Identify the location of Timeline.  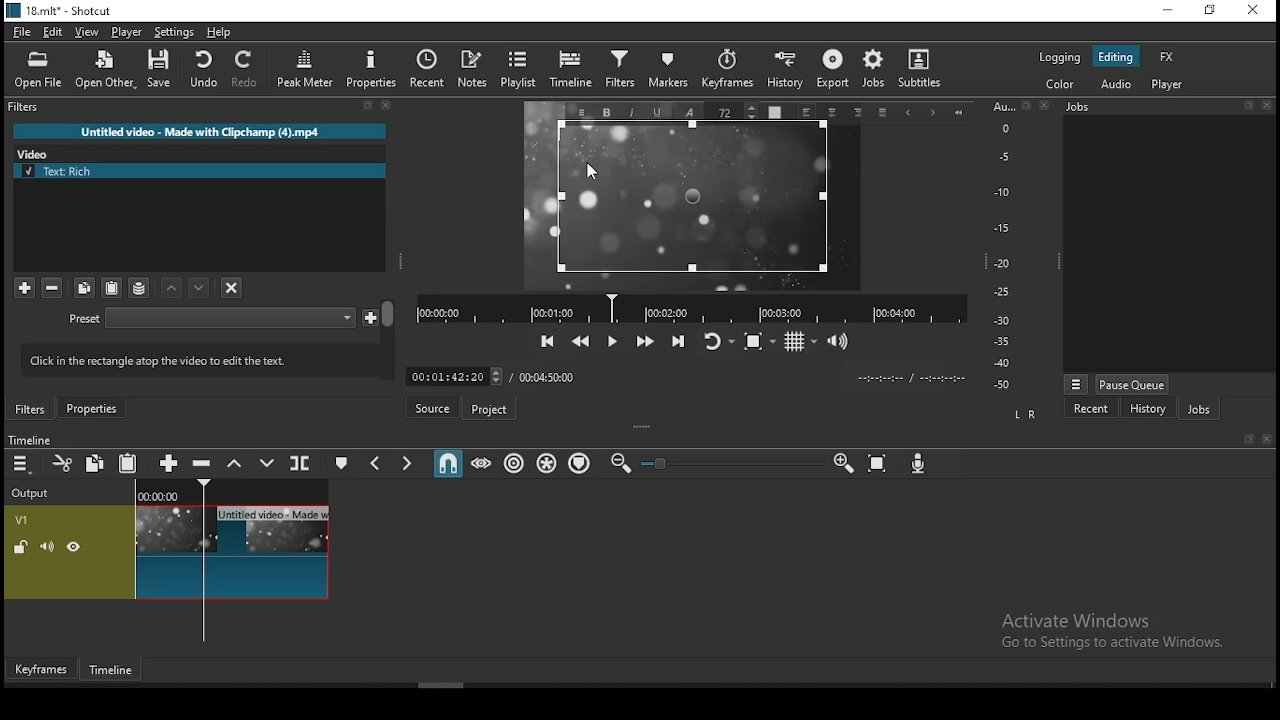
(233, 490).